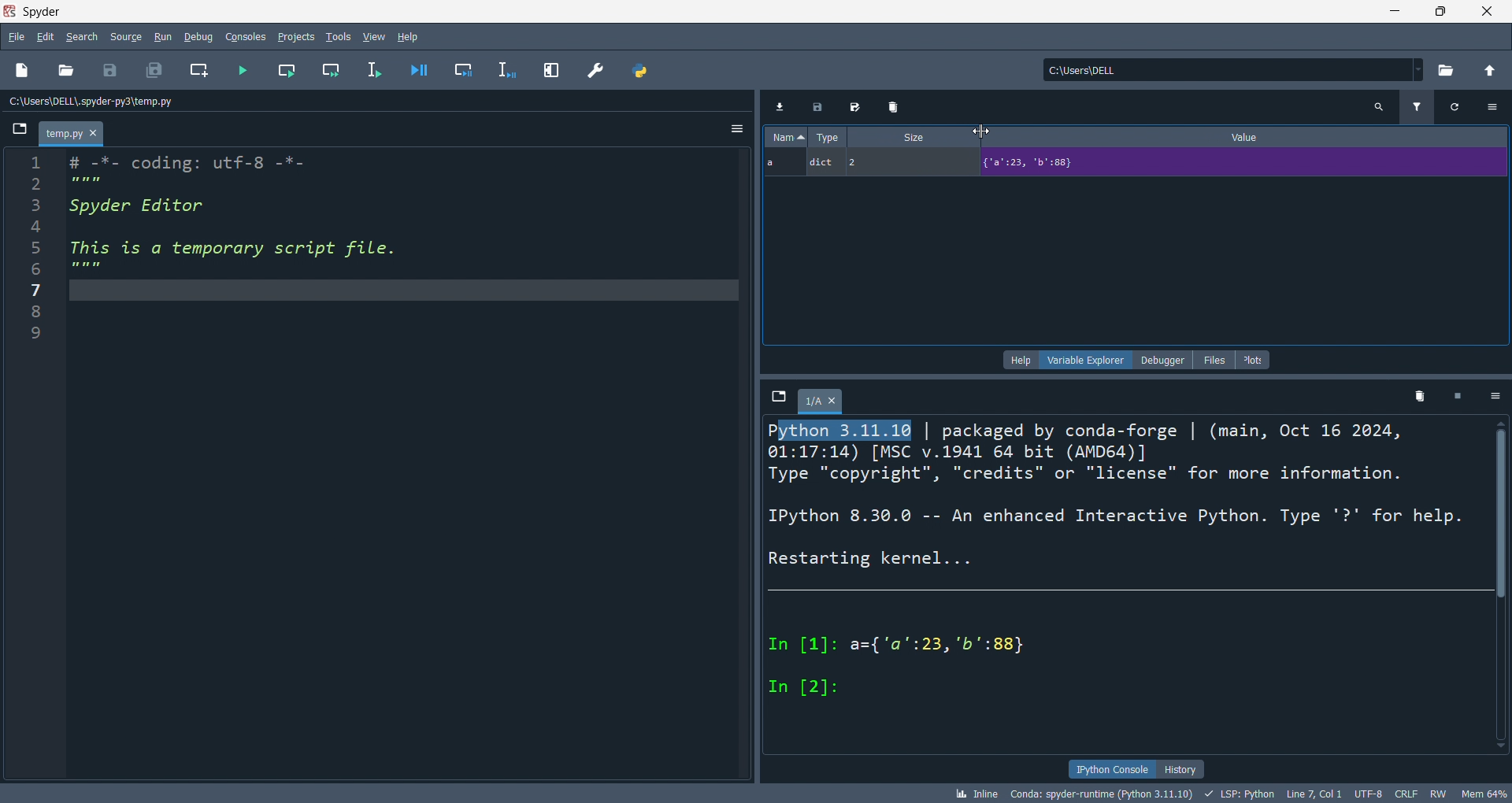  Describe the element at coordinates (640, 68) in the screenshot. I see `path manager` at that location.